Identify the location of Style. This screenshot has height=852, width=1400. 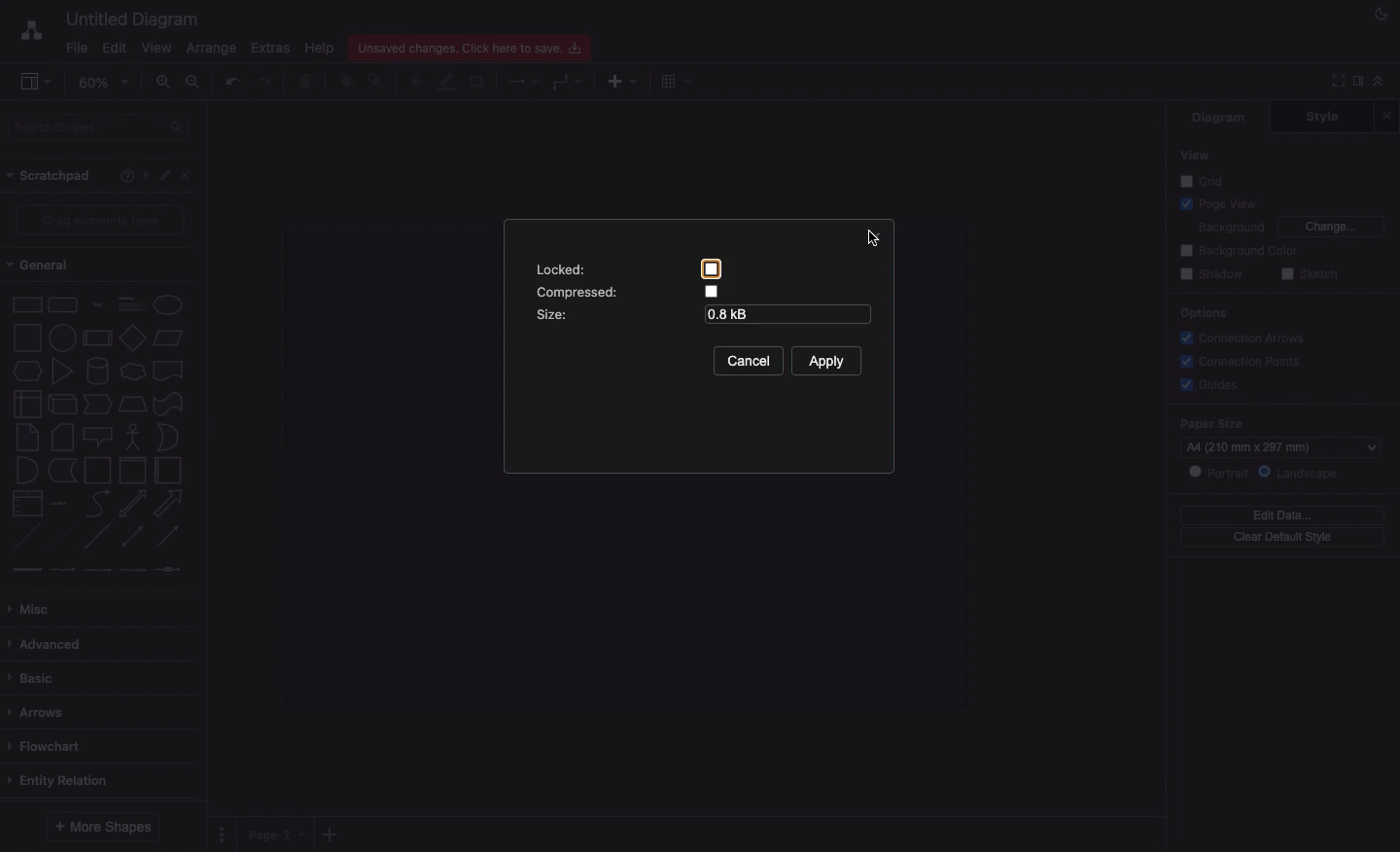
(1321, 117).